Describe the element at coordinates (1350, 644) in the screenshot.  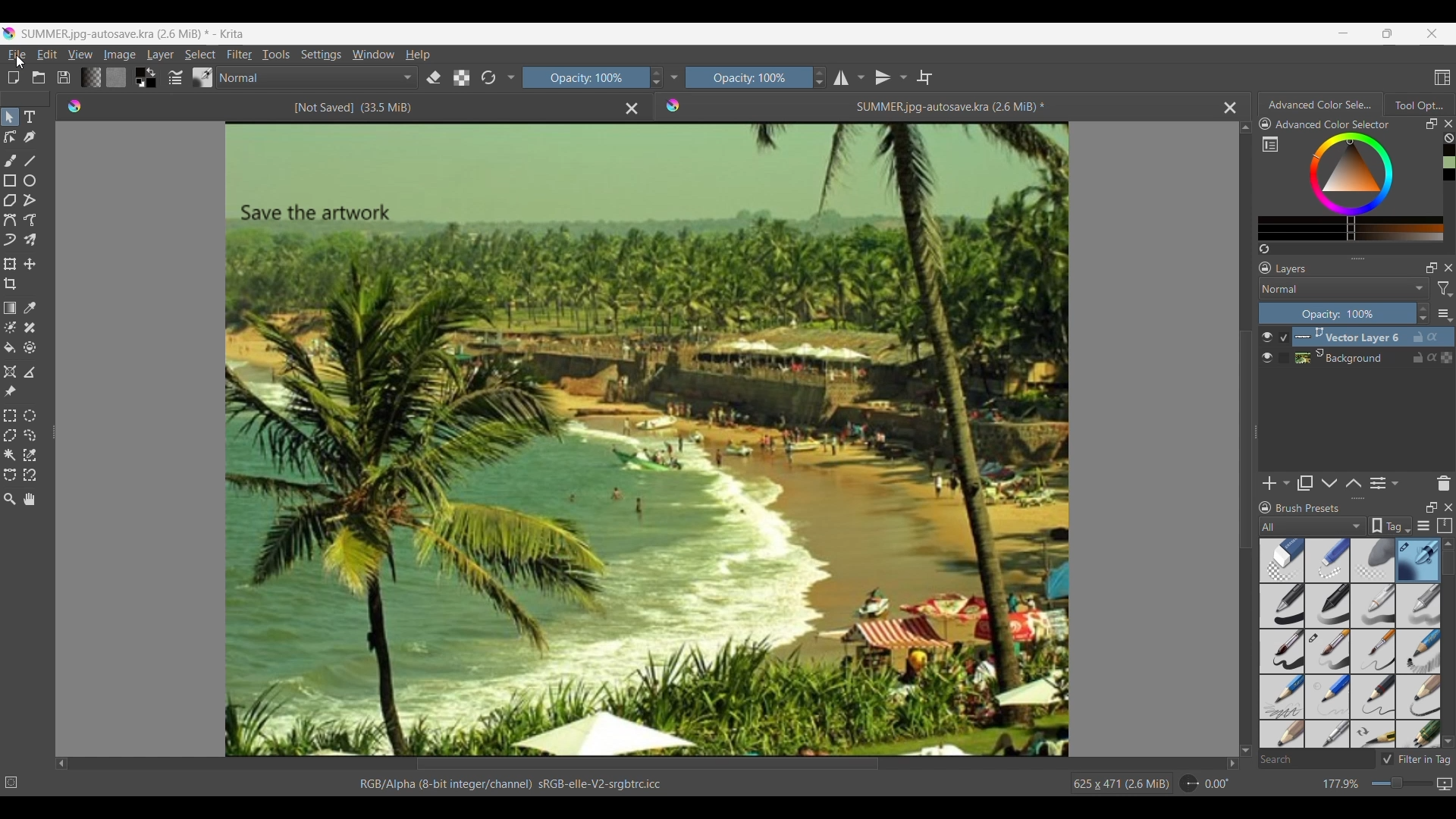
I see `Brush presets with current selection highlighted` at that location.